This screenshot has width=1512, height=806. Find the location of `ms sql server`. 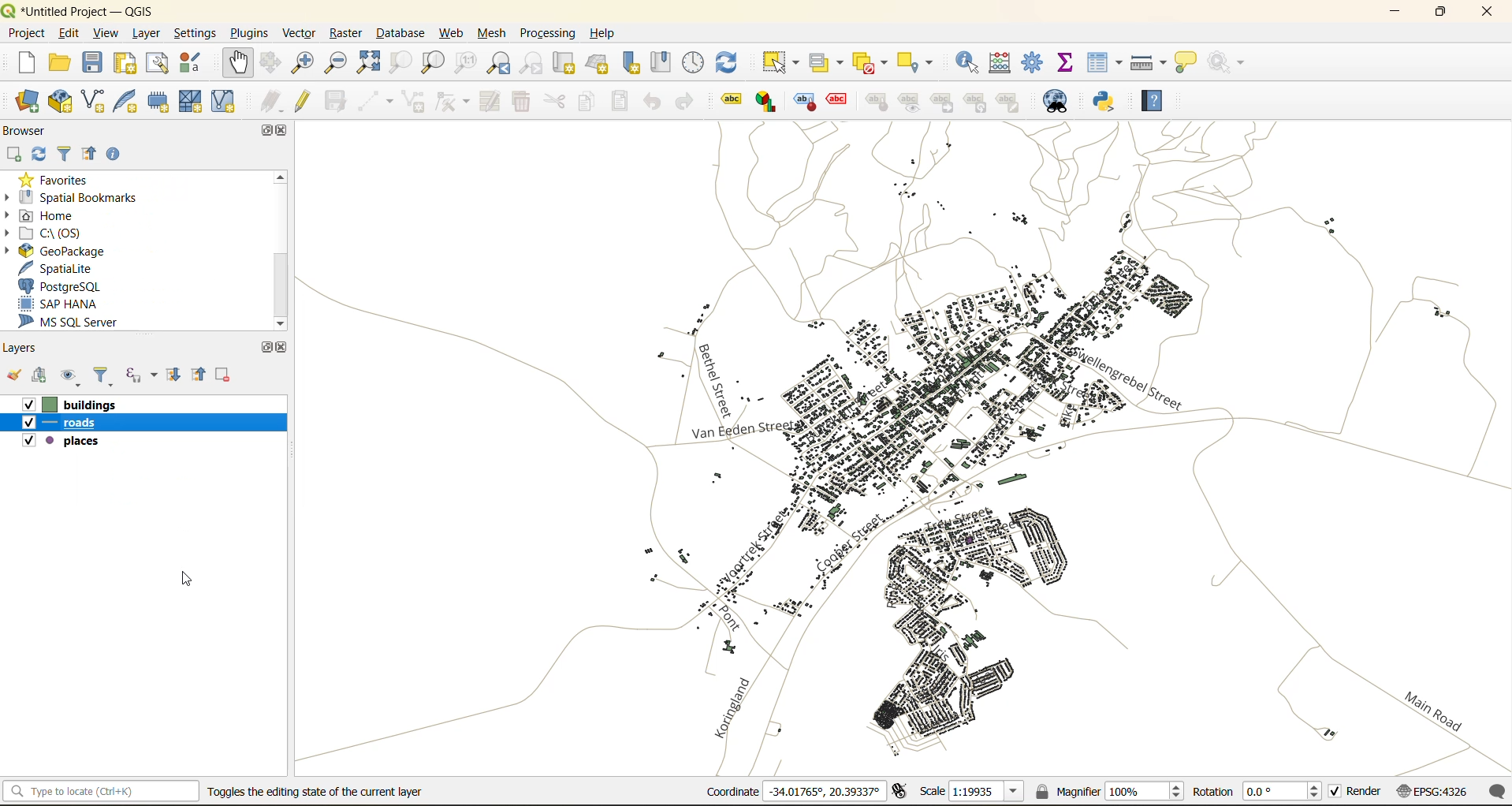

ms sql server is located at coordinates (76, 322).